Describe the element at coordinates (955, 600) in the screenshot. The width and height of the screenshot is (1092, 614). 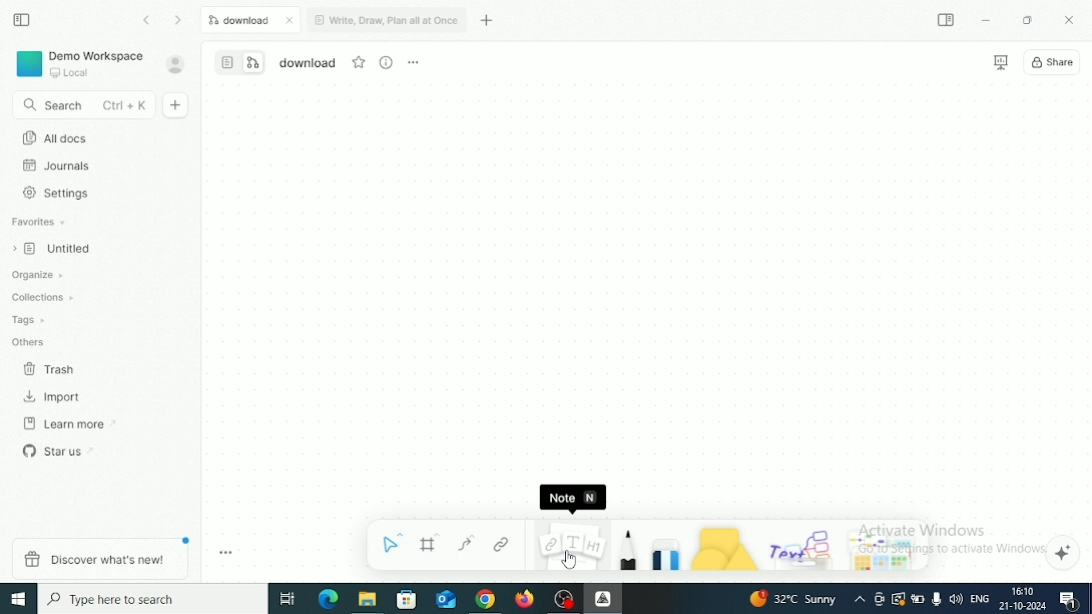
I see `Speakers` at that location.